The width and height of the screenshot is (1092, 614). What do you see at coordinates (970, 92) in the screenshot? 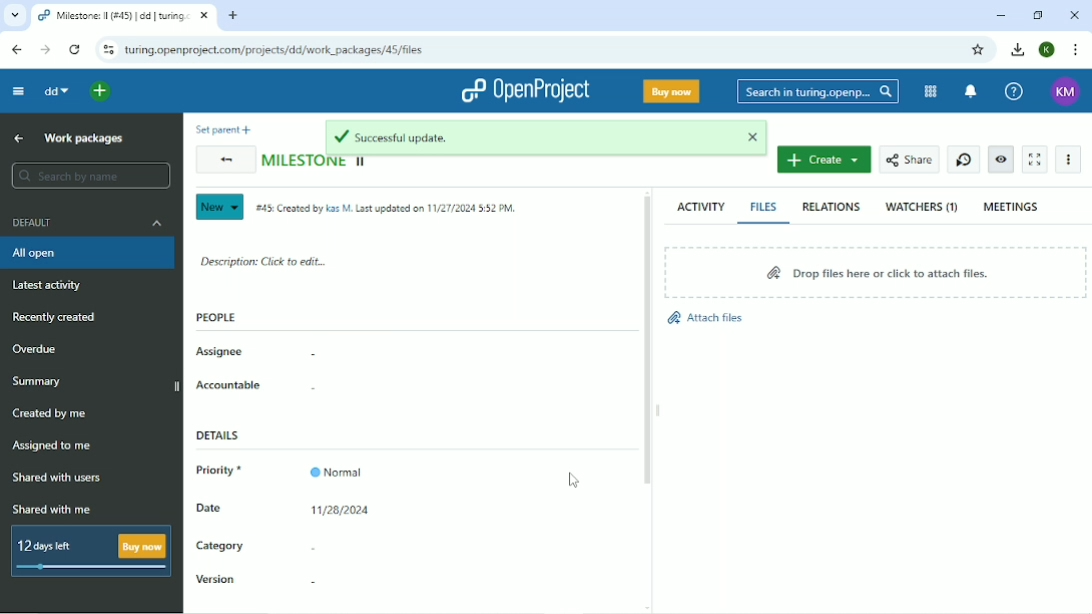
I see `To notification center` at bounding box center [970, 92].